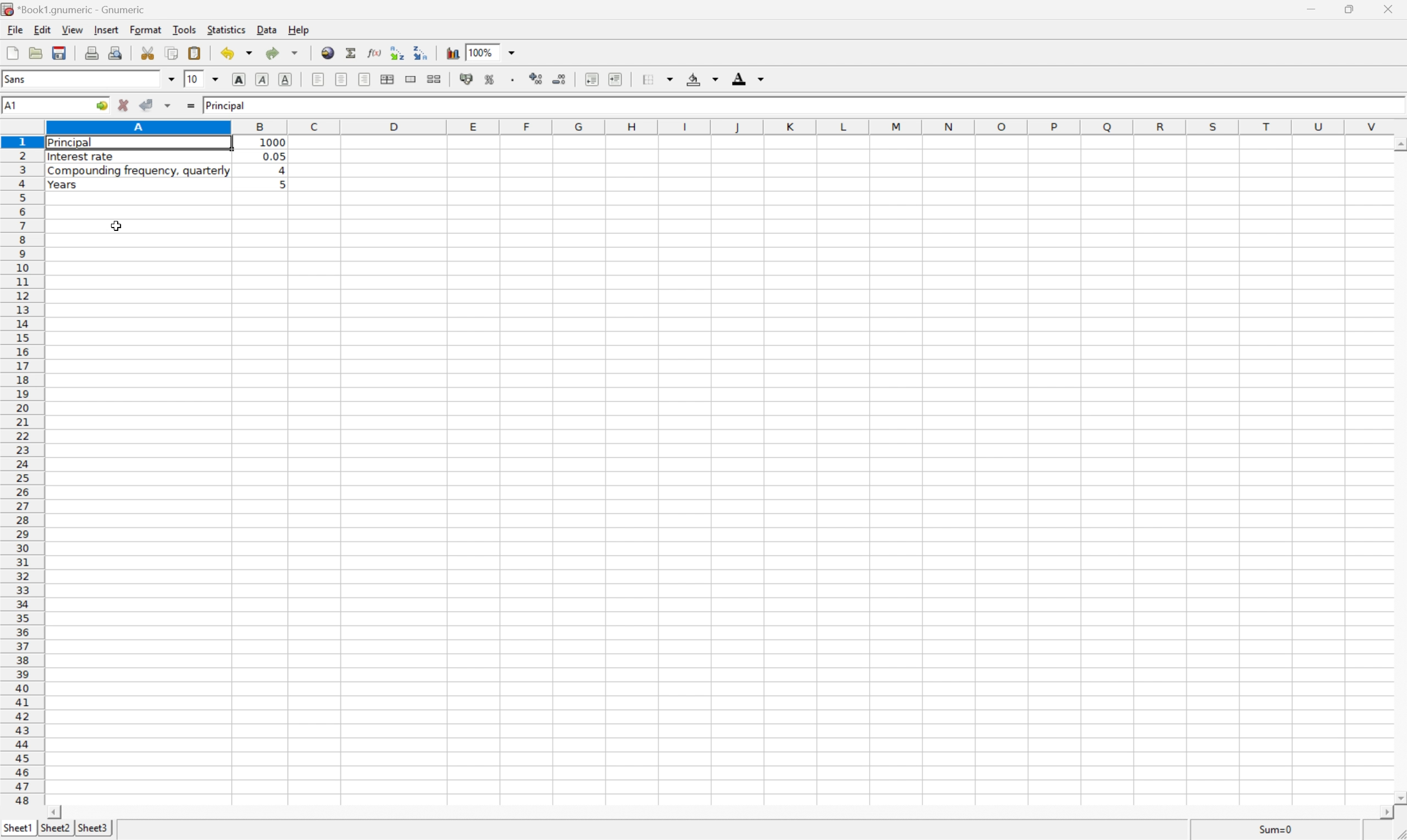  What do you see at coordinates (41, 29) in the screenshot?
I see `edit` at bounding box center [41, 29].